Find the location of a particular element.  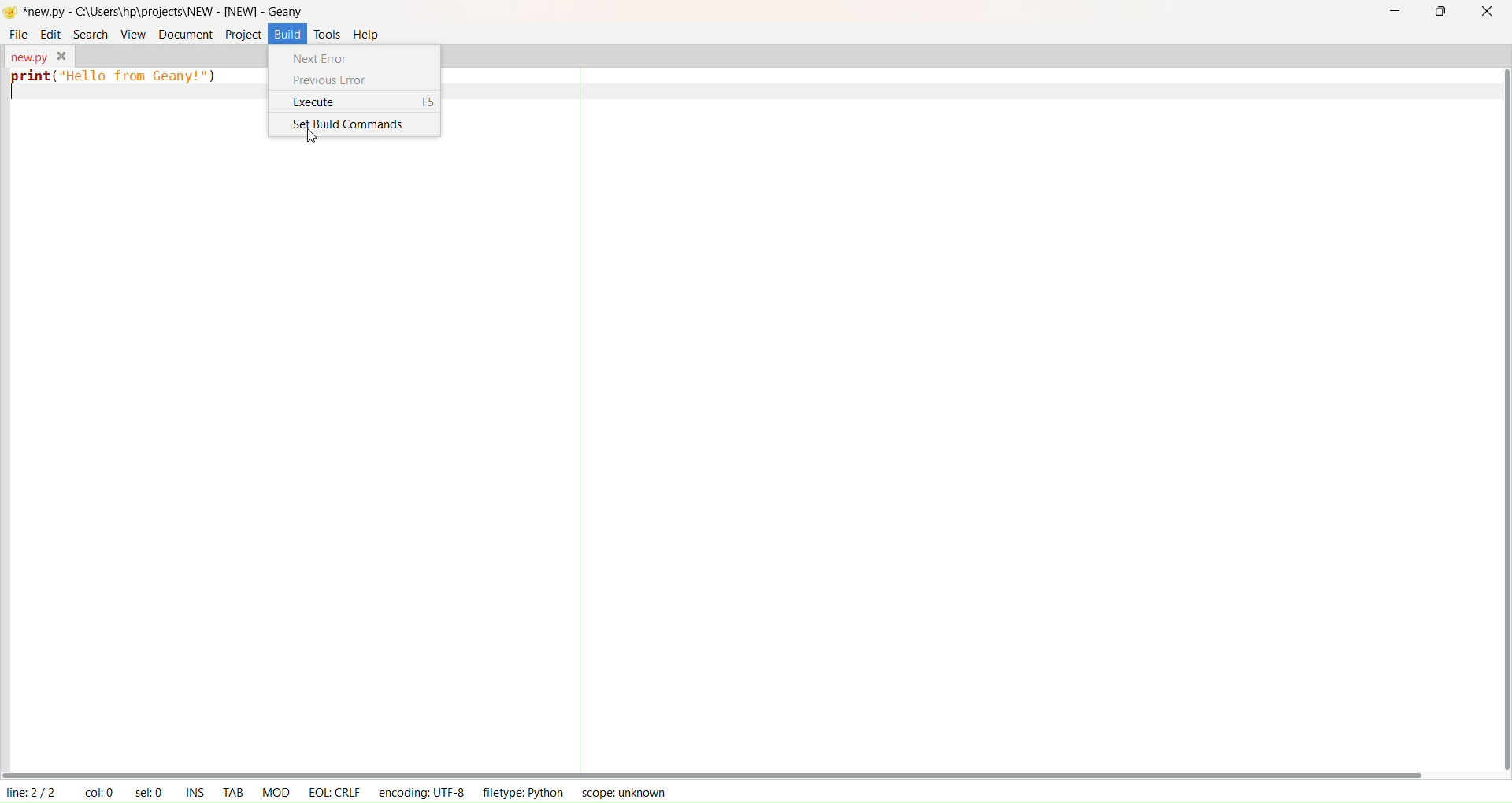

encoding: UTF -8 is located at coordinates (422, 791).